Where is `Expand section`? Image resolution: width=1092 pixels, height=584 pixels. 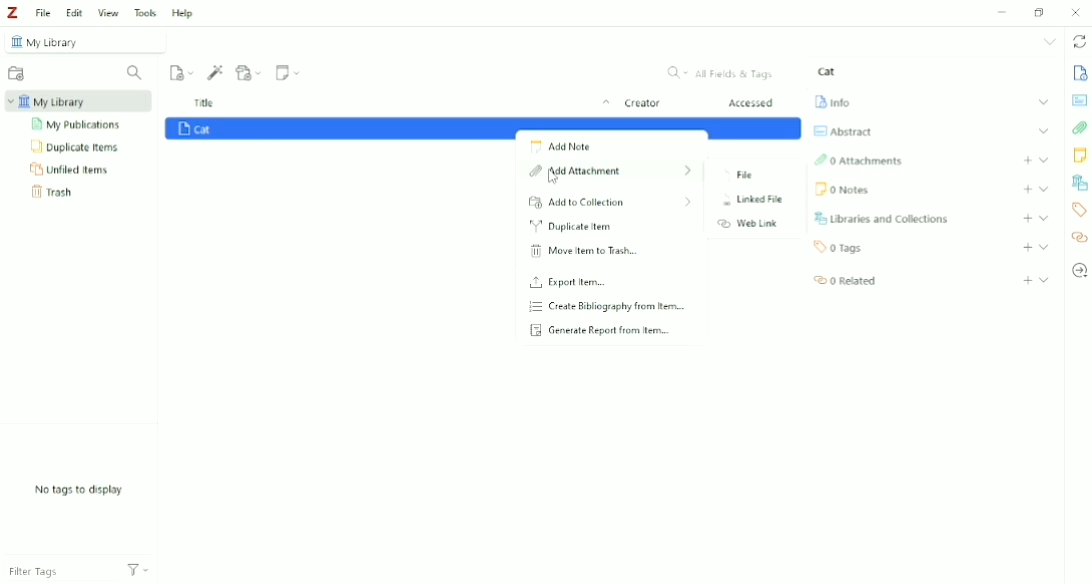
Expand section is located at coordinates (1045, 130).